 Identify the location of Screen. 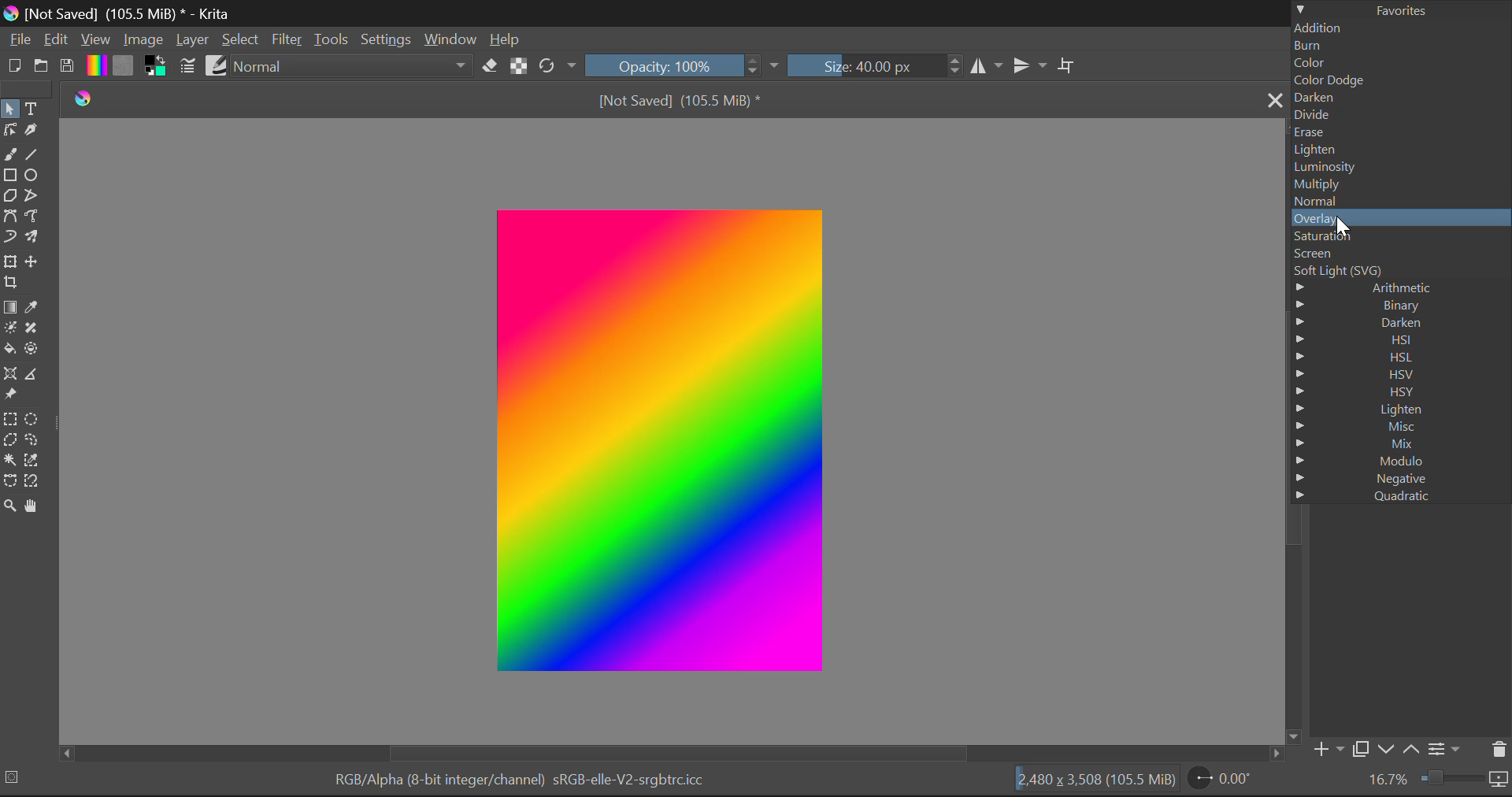
(1398, 256).